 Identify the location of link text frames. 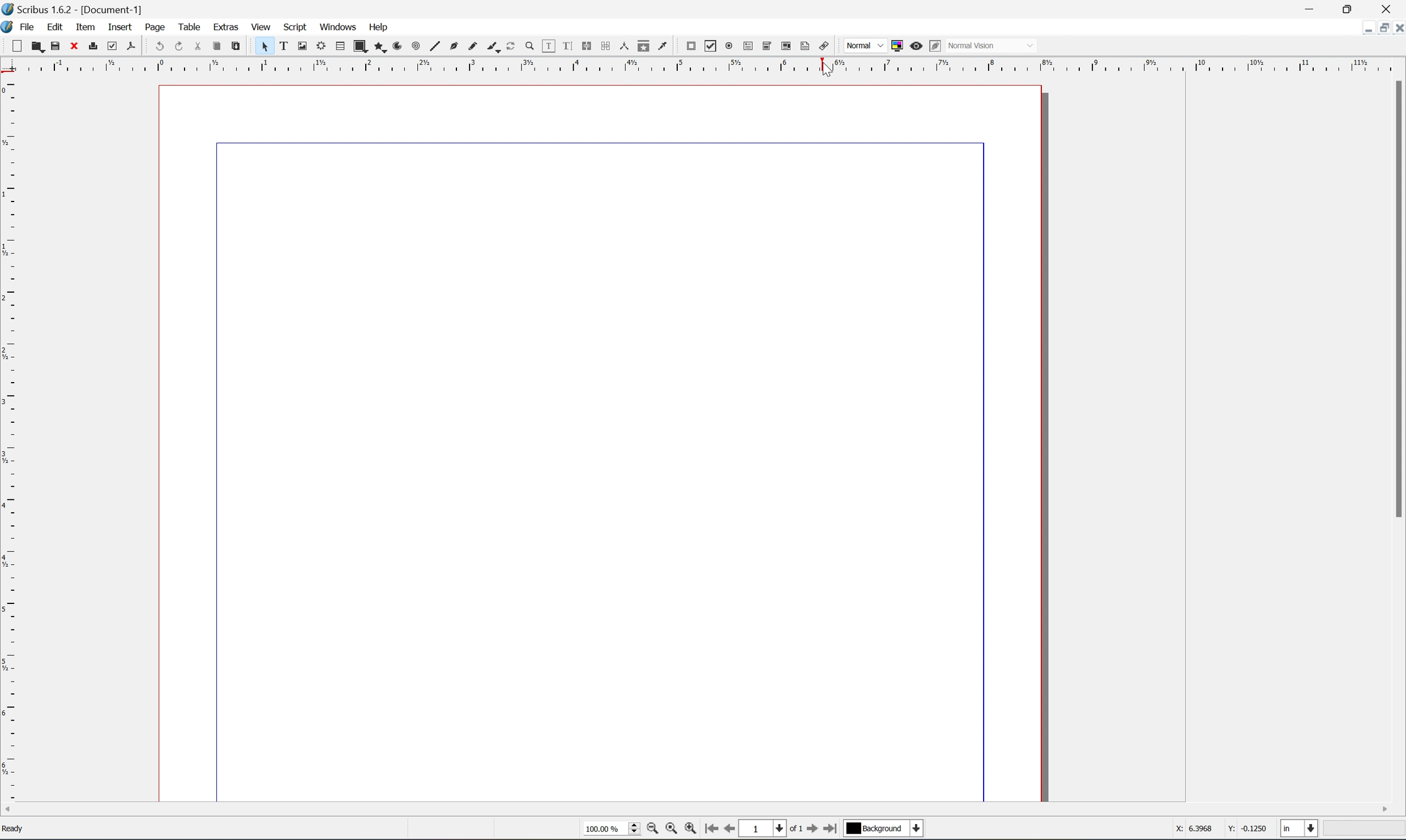
(588, 48).